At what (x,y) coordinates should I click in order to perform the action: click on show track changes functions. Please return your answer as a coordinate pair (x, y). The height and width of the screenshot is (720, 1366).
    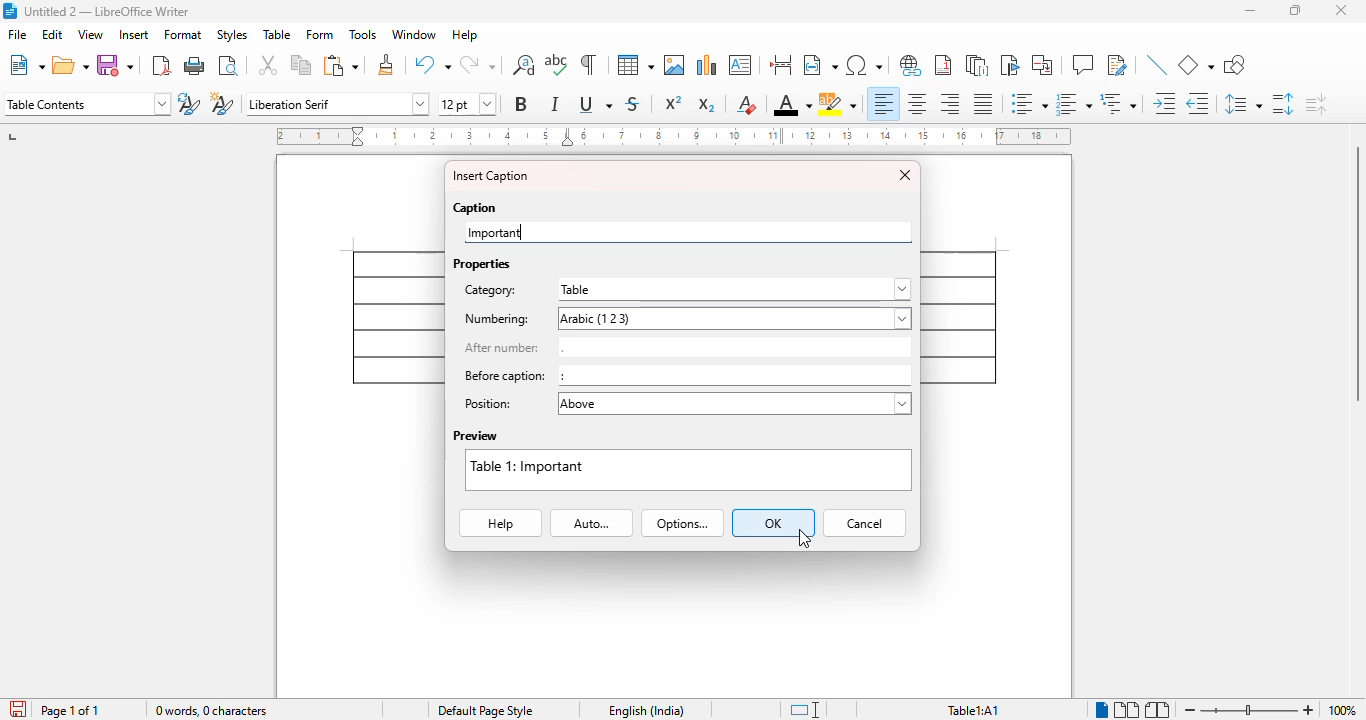
    Looking at the image, I should click on (1118, 64).